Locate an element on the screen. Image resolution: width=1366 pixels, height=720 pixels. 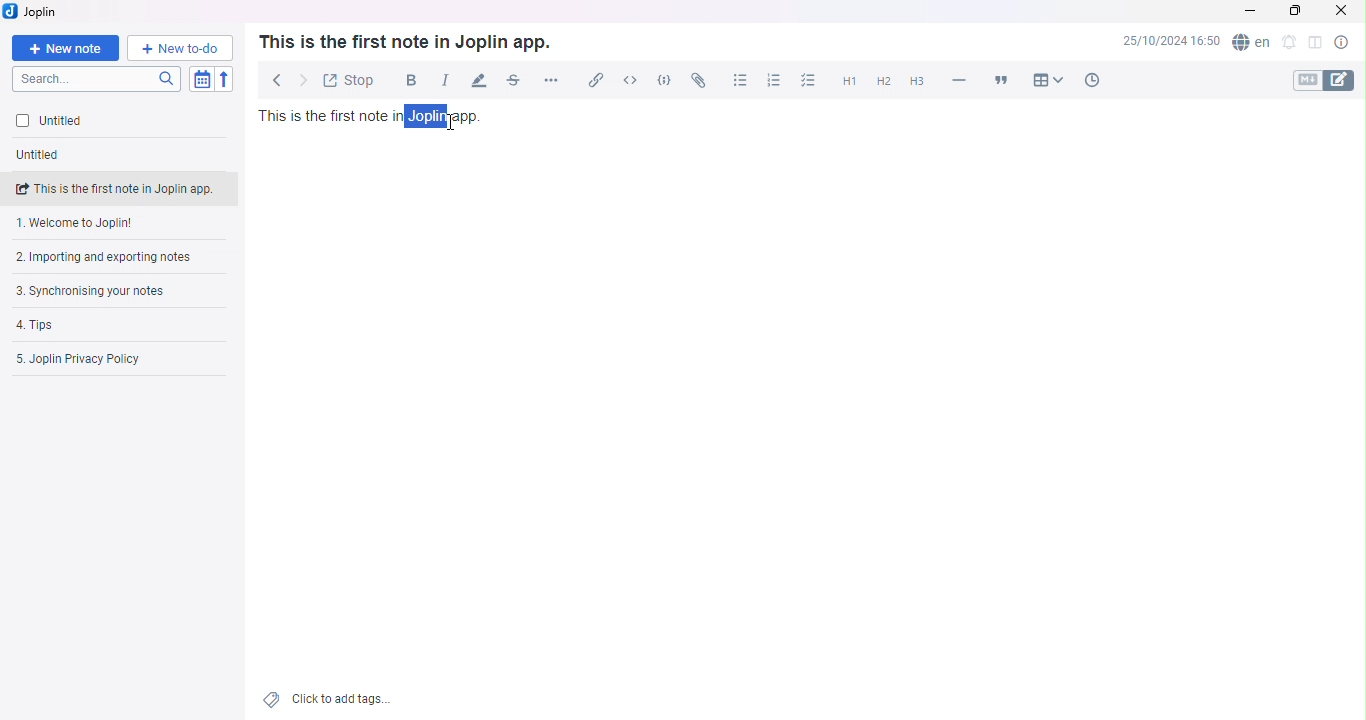
Reverse Sort order is located at coordinates (225, 80).